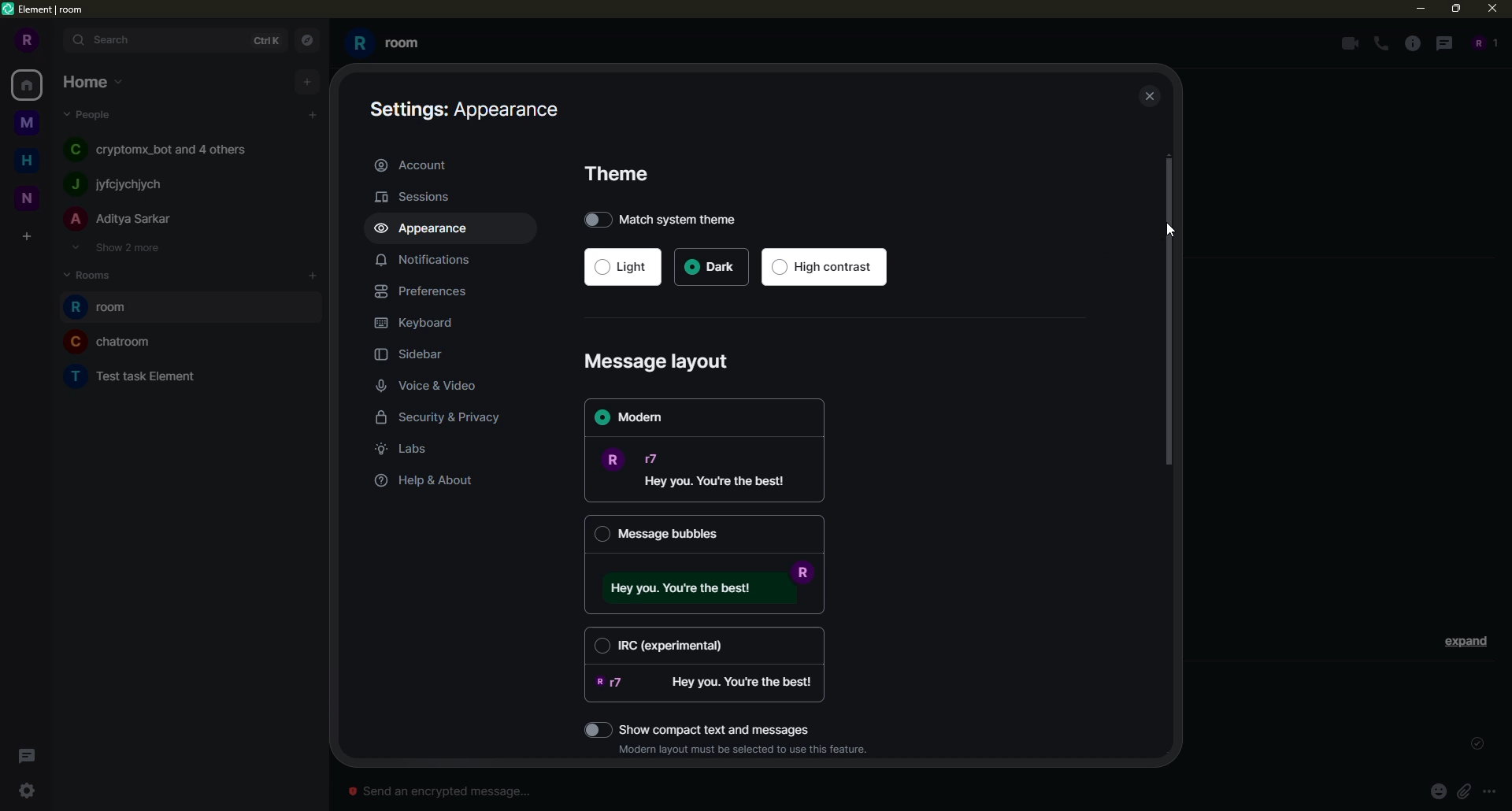 The width and height of the screenshot is (1512, 811). I want to click on video call, so click(1347, 43).